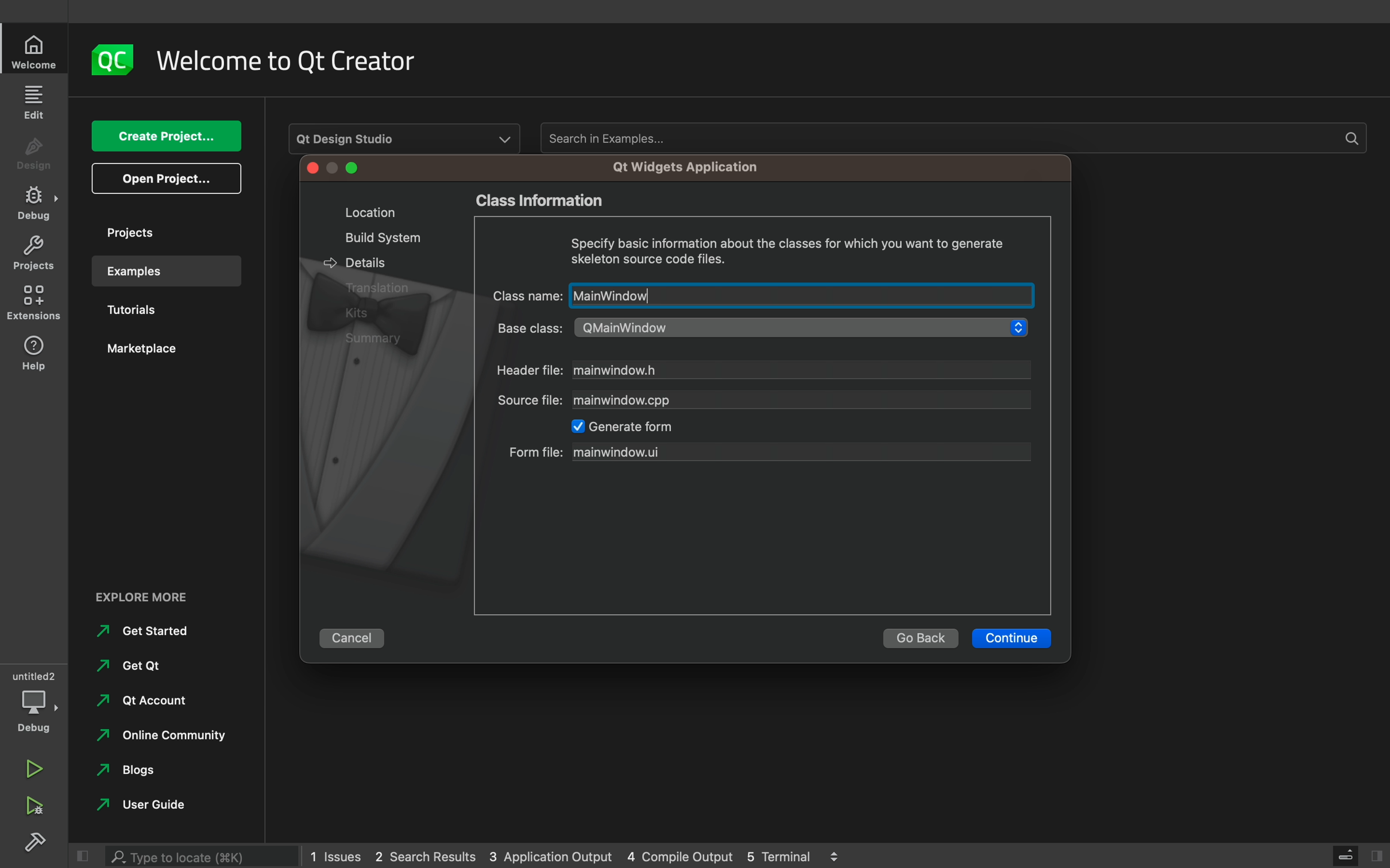 Image resolution: width=1390 pixels, height=868 pixels. Describe the element at coordinates (165, 271) in the screenshot. I see `examples` at that location.